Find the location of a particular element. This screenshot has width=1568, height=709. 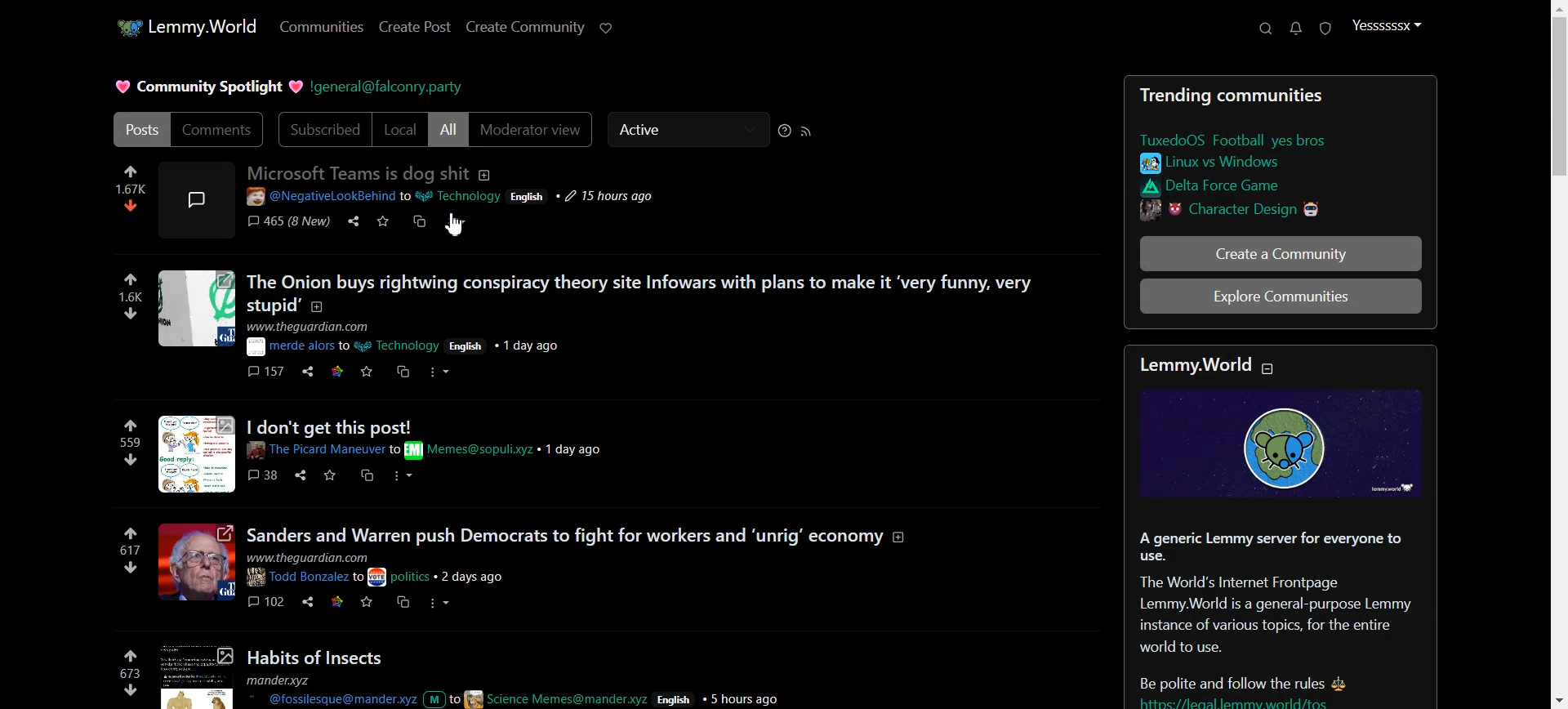

link is located at coordinates (1243, 187).